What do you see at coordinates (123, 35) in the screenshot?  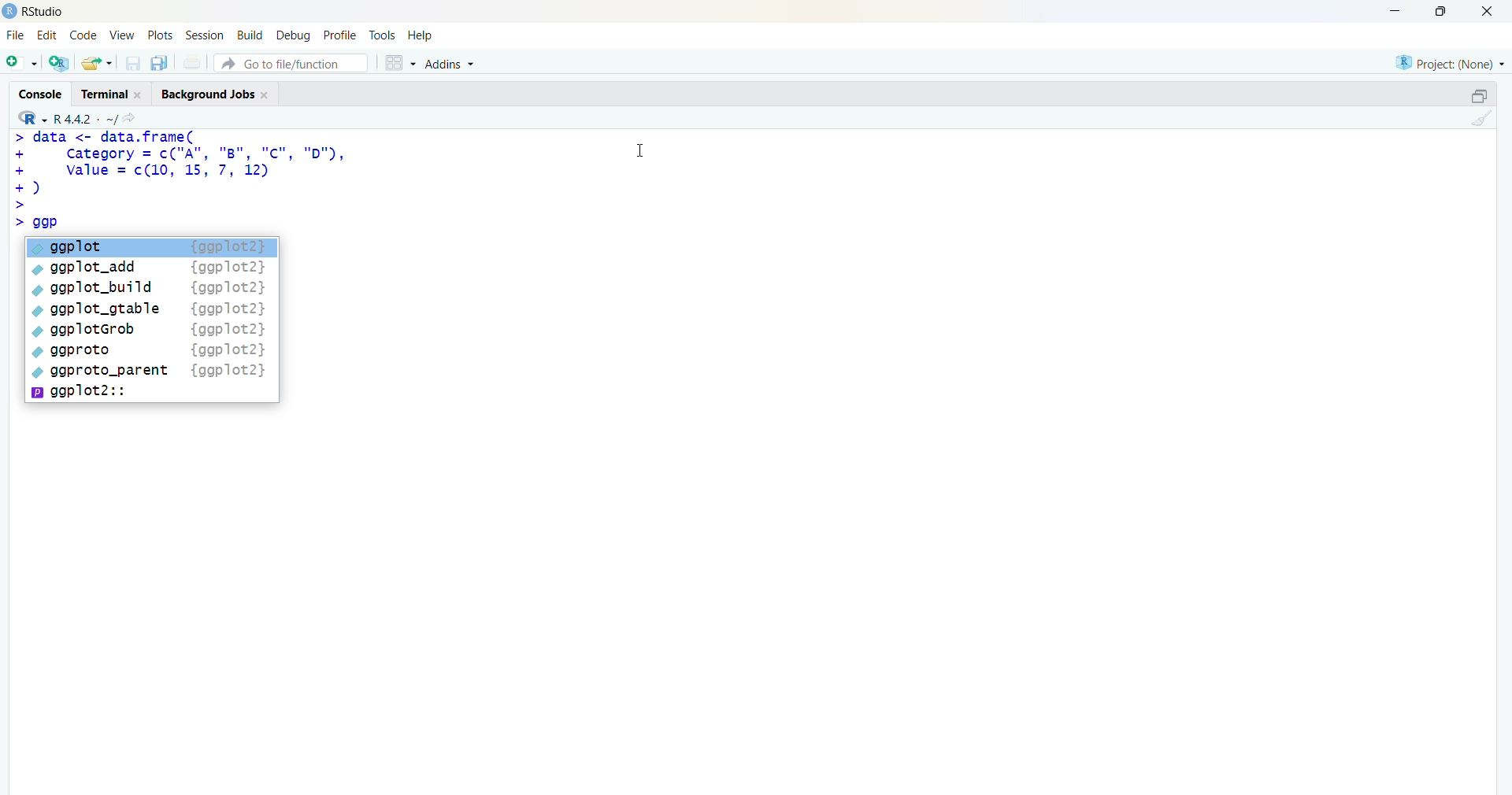 I see `View` at bounding box center [123, 35].